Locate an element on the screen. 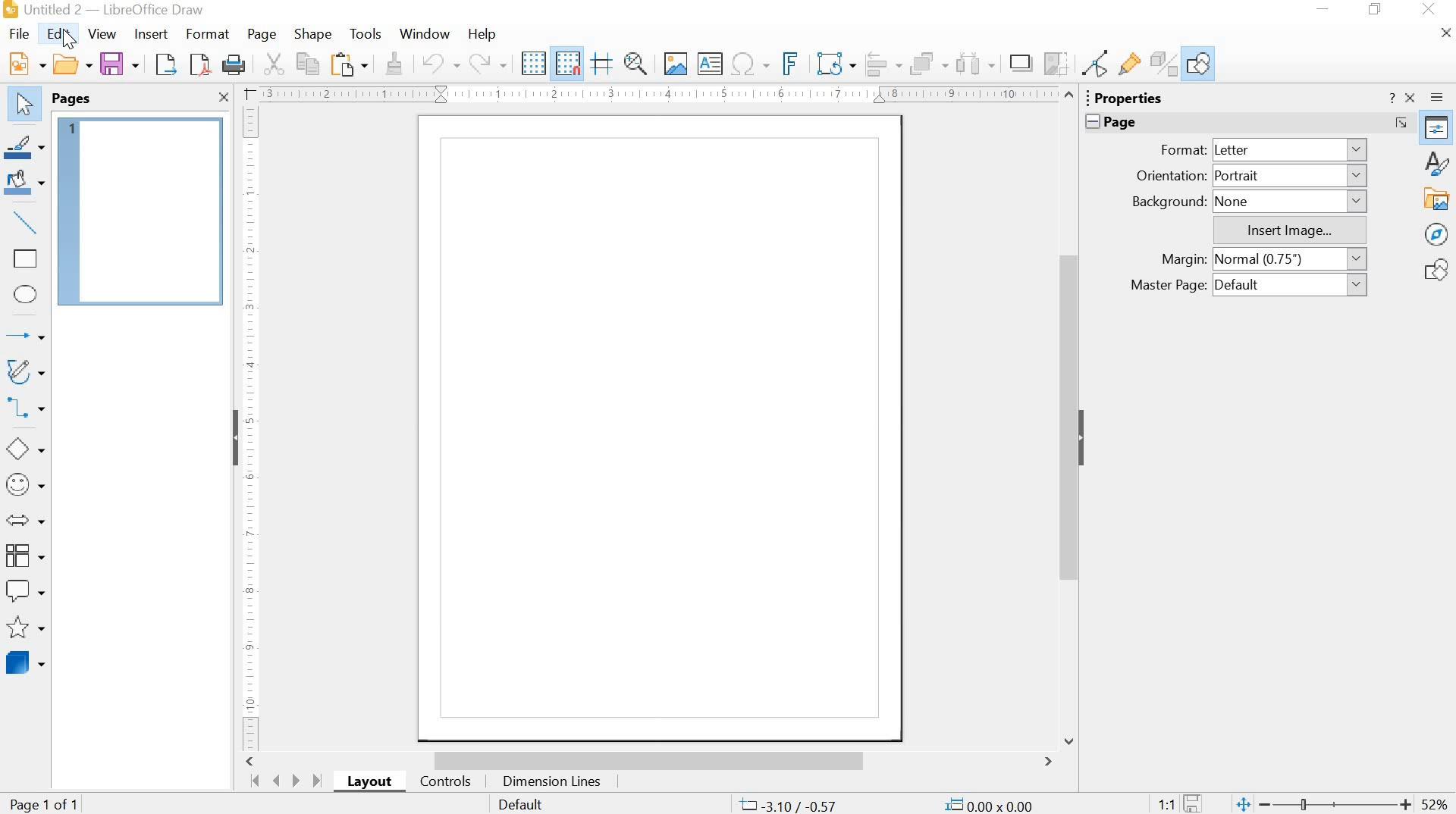 The image size is (1456, 814). Insert line (double click for multi-selection) is located at coordinates (26, 224).